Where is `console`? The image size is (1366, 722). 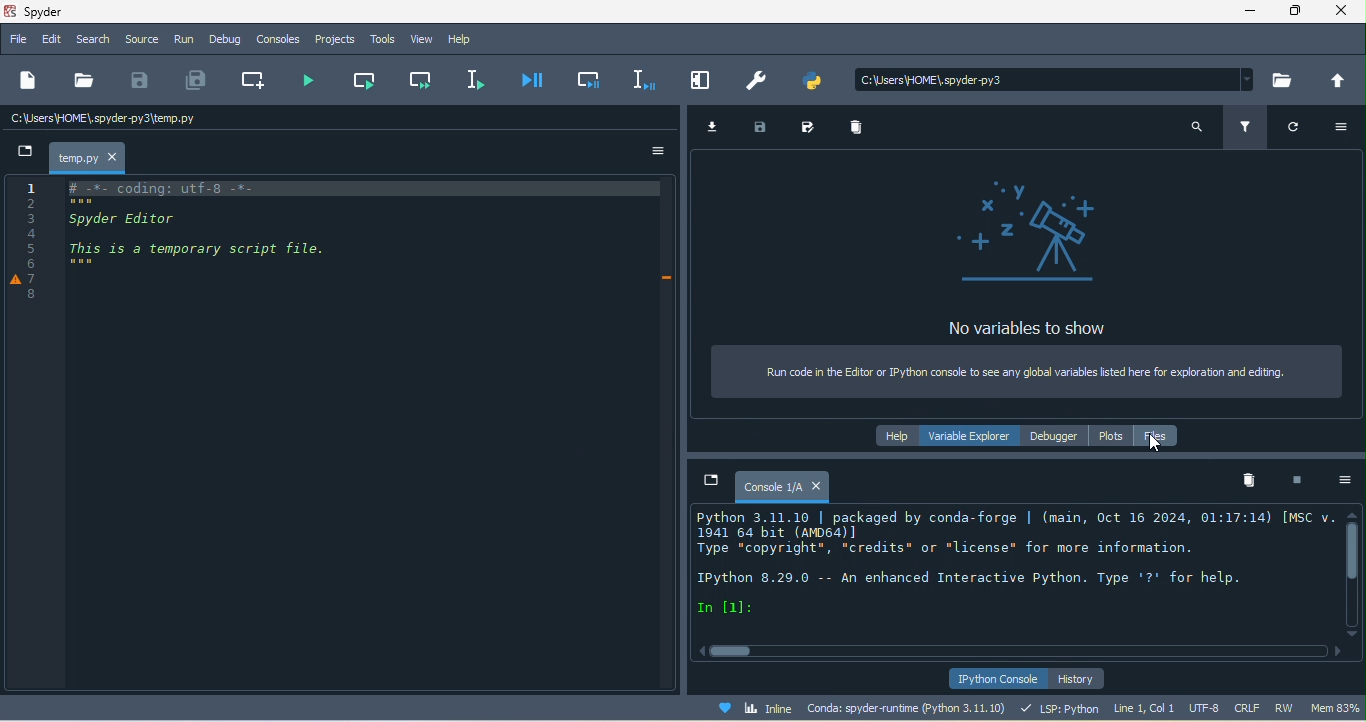
console is located at coordinates (275, 39).